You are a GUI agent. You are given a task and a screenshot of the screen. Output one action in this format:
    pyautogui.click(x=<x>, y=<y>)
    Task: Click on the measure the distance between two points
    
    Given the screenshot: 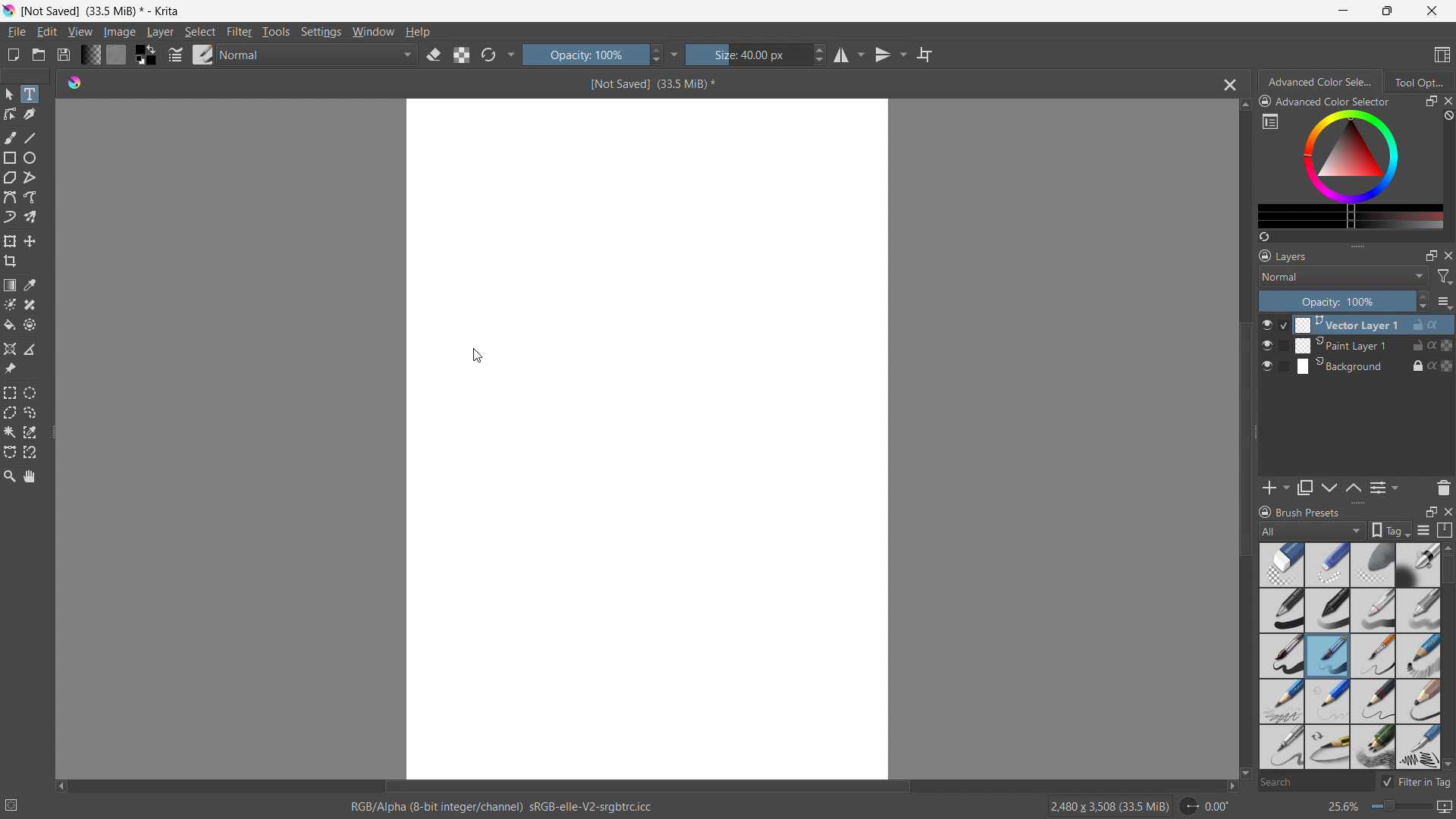 What is the action you would take?
    pyautogui.click(x=30, y=349)
    